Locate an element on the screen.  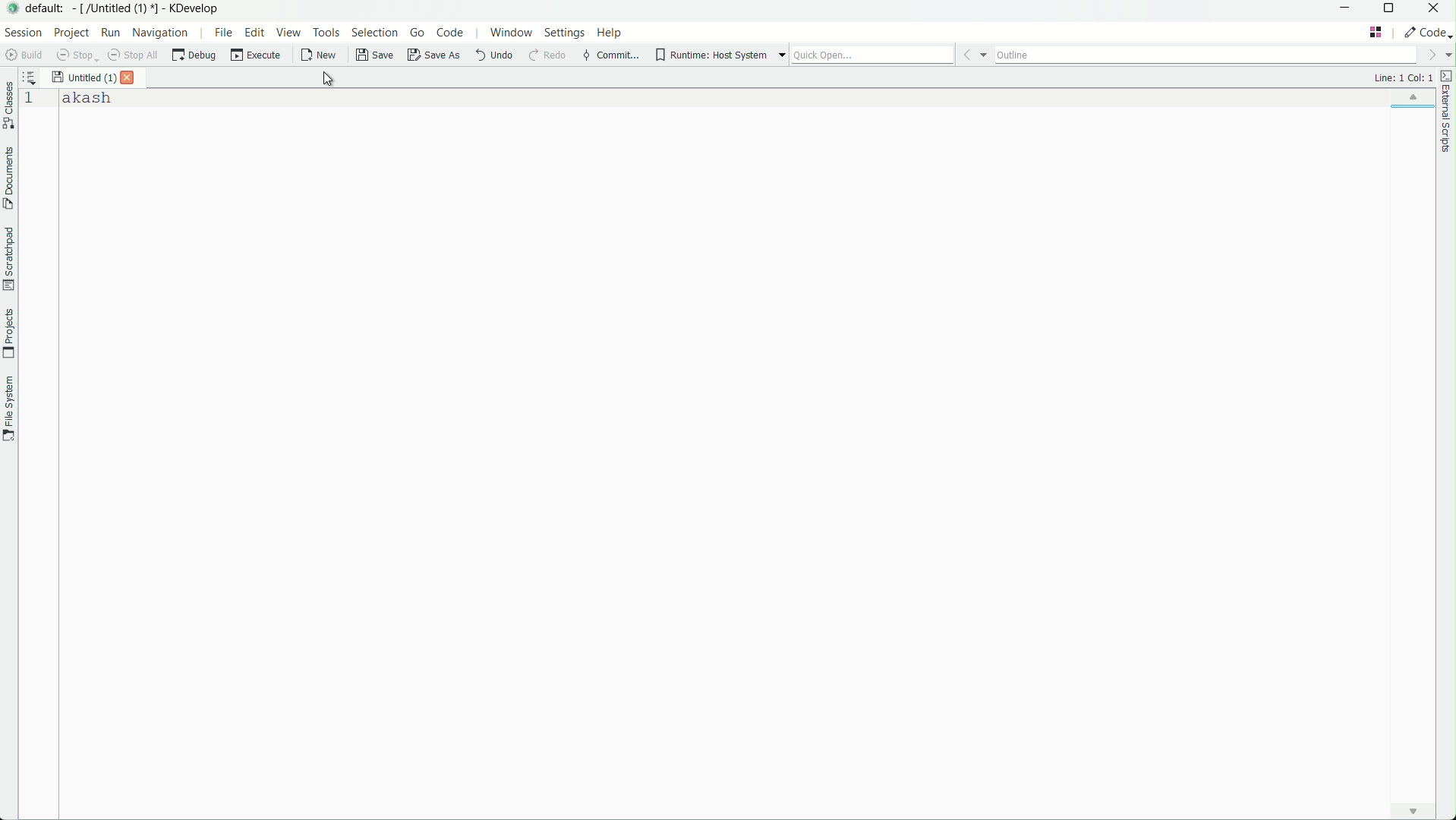
document is located at coordinates (9, 179).